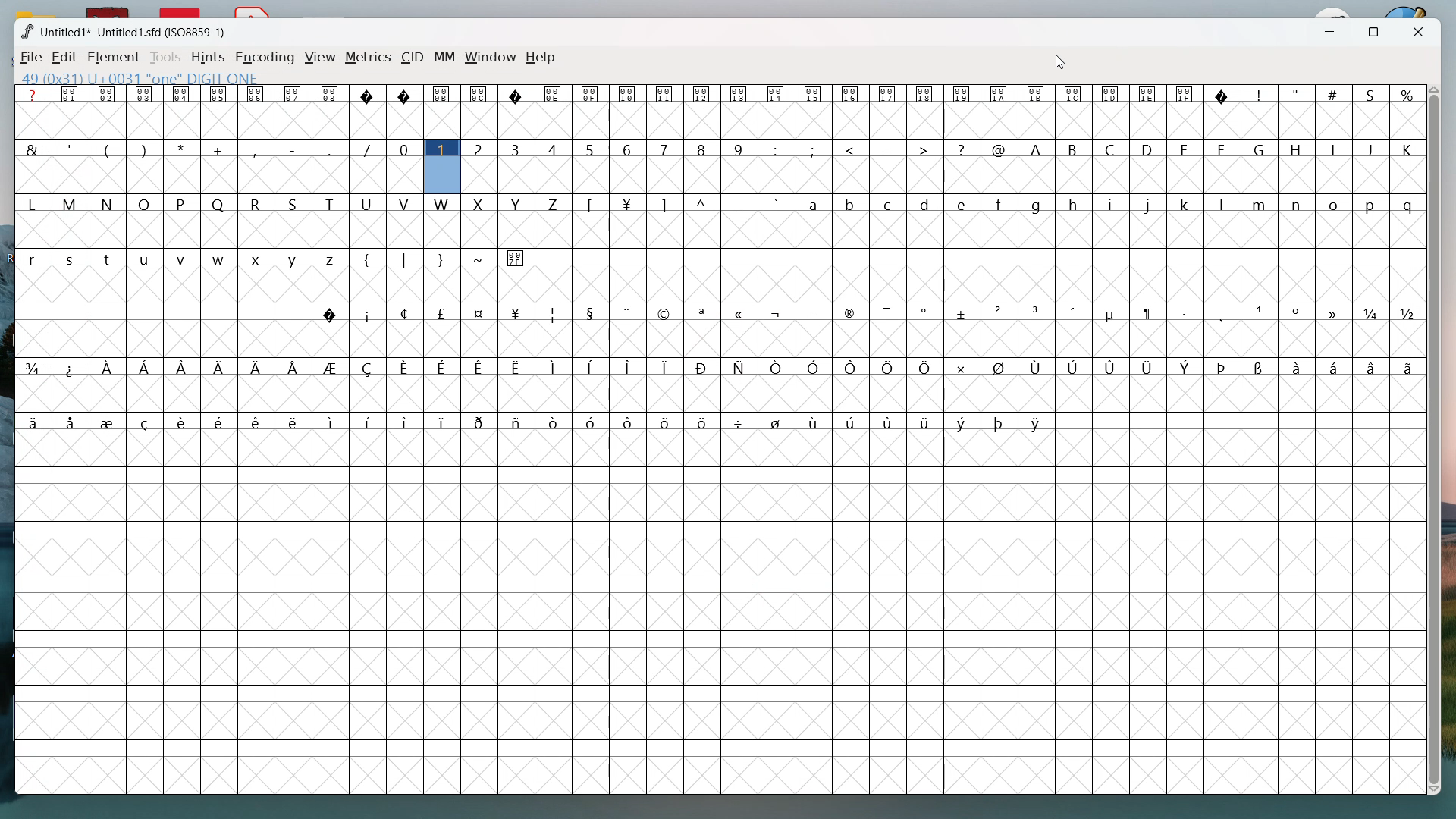 This screenshot has height=819, width=1456. What do you see at coordinates (1404, 93) in the screenshot?
I see `%` at bounding box center [1404, 93].